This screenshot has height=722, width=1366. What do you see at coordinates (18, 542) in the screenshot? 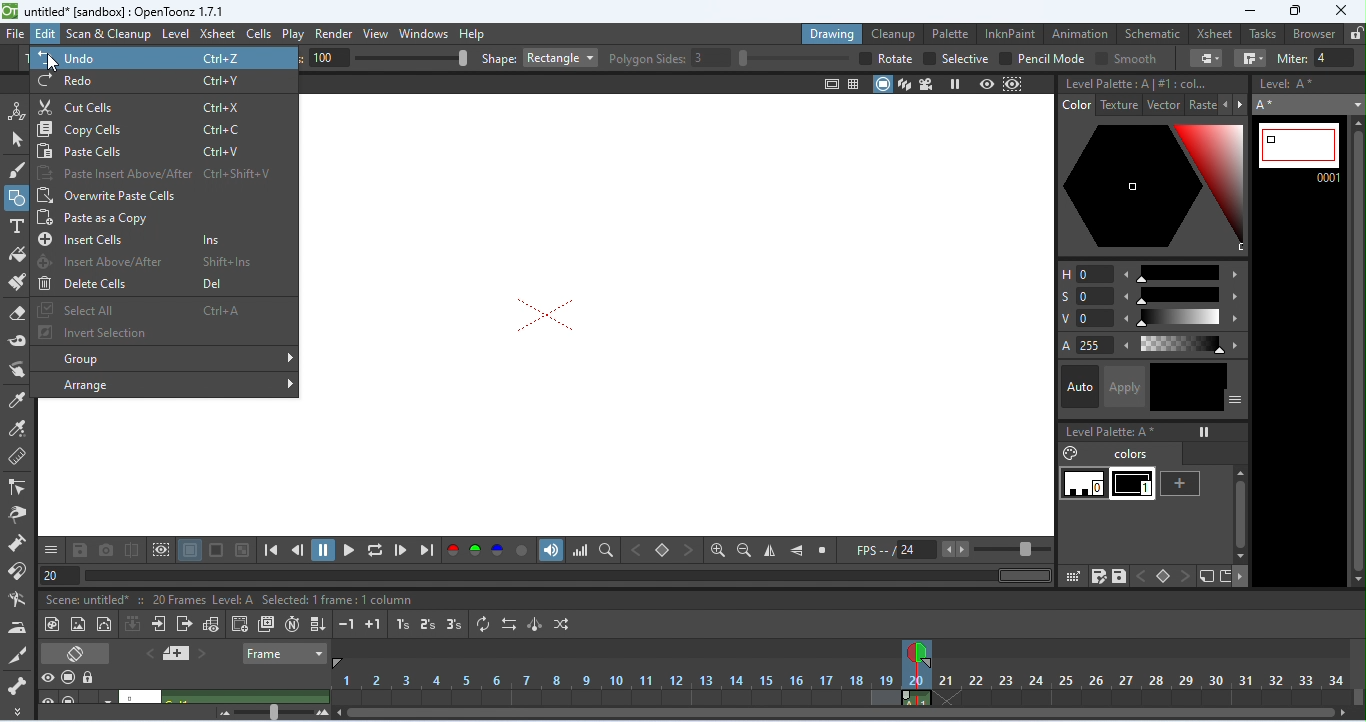
I see `pump` at bounding box center [18, 542].